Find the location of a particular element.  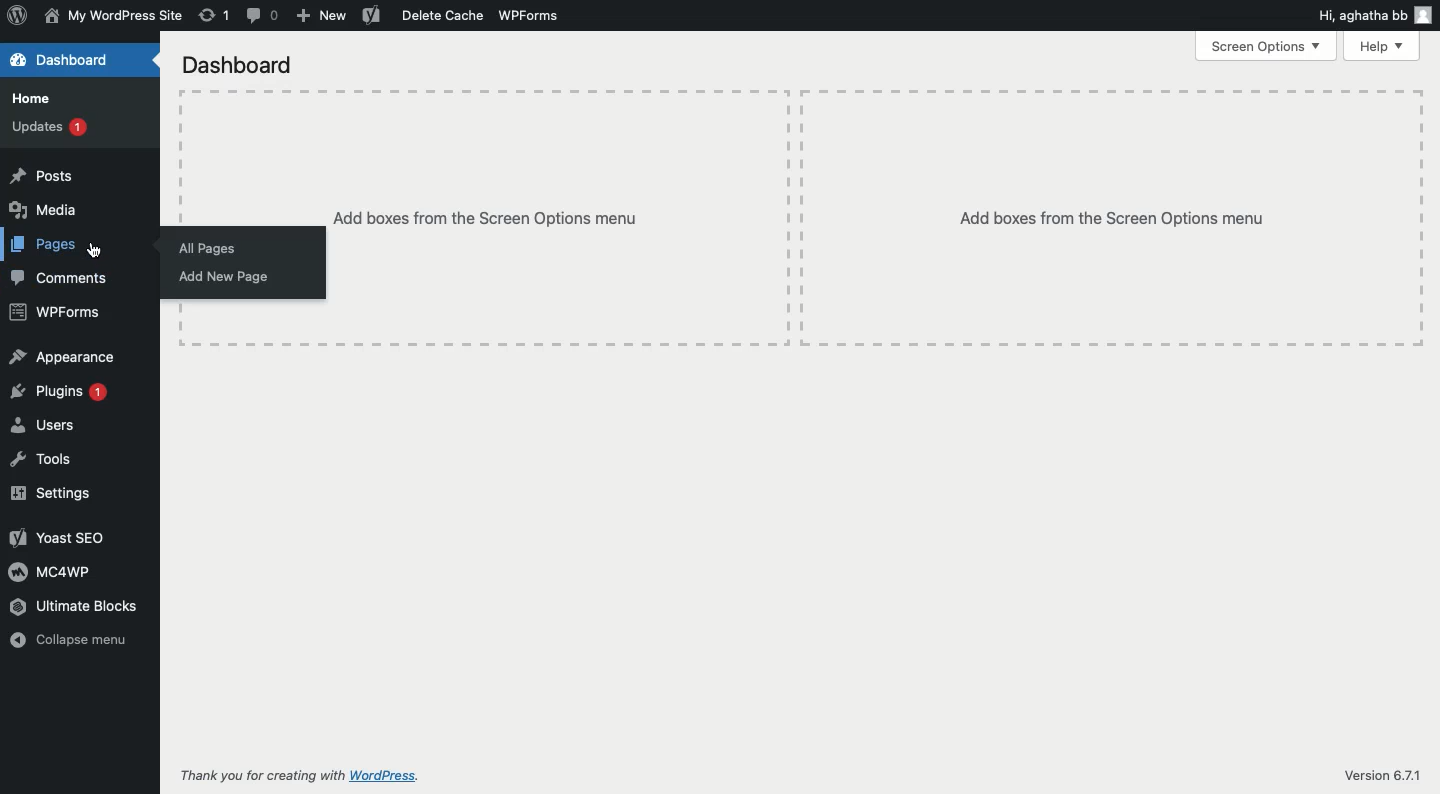

Delete cache is located at coordinates (441, 15).